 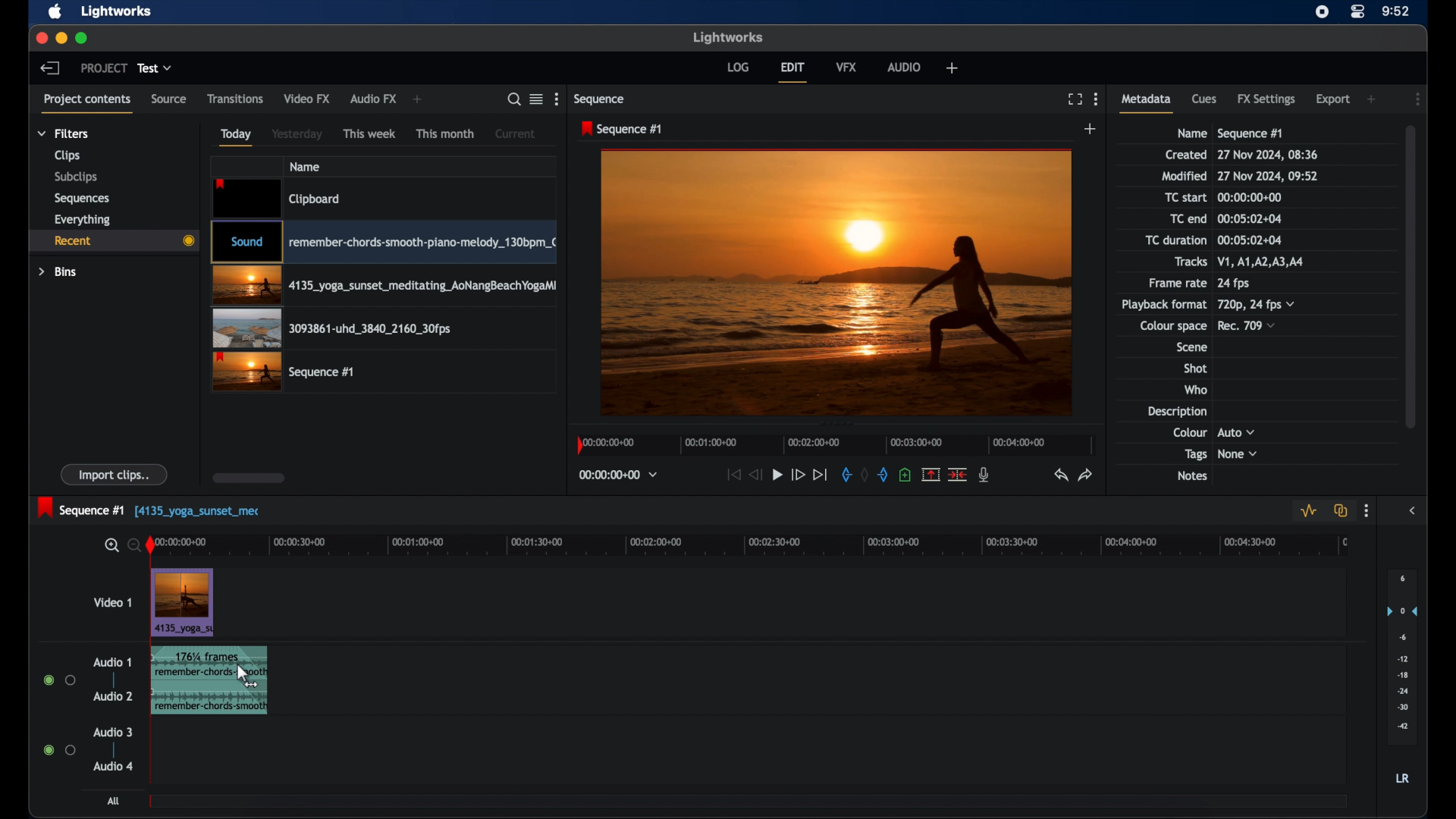 What do you see at coordinates (1097, 99) in the screenshot?
I see `more options` at bounding box center [1097, 99].